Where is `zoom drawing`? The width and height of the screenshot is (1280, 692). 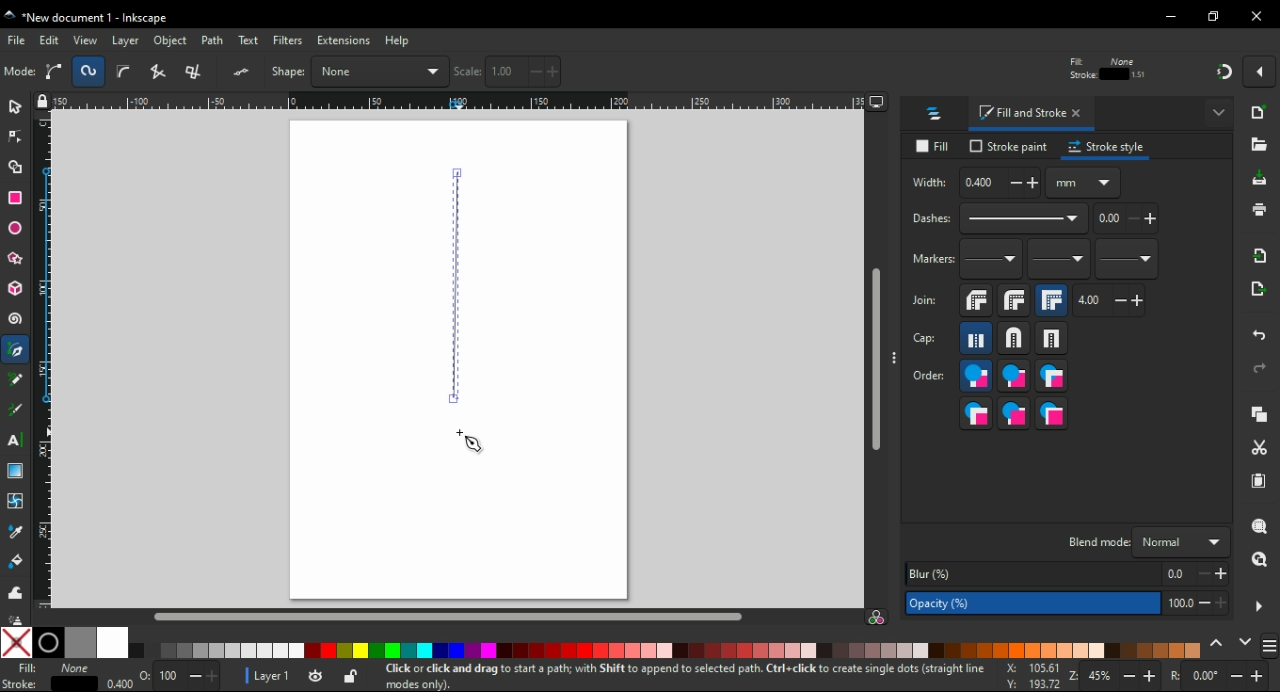
zoom drawing is located at coordinates (1259, 565).